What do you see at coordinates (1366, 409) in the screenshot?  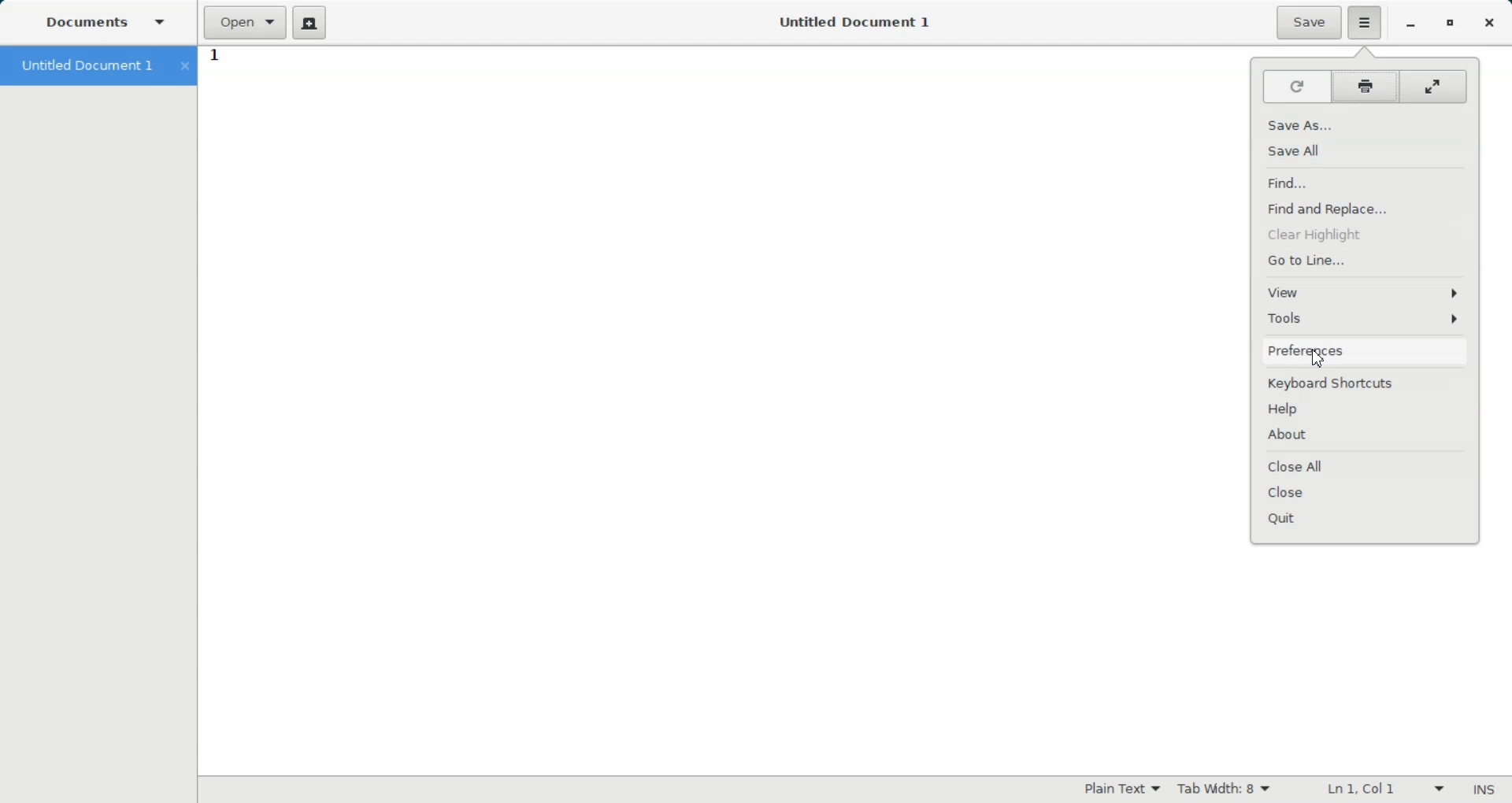 I see `Help` at bounding box center [1366, 409].